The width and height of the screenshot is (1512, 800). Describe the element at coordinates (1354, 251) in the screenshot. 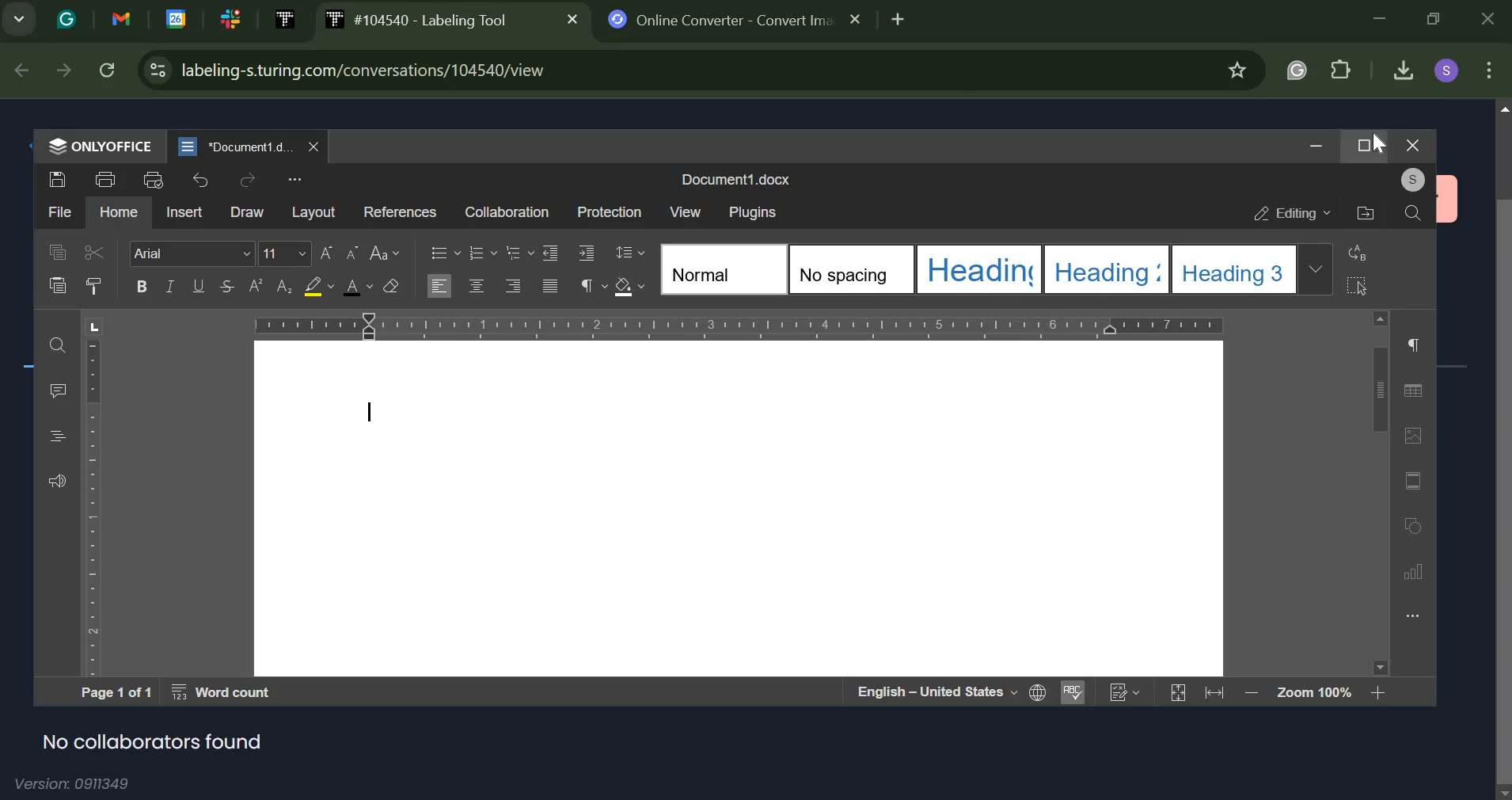

I see `replace` at that location.